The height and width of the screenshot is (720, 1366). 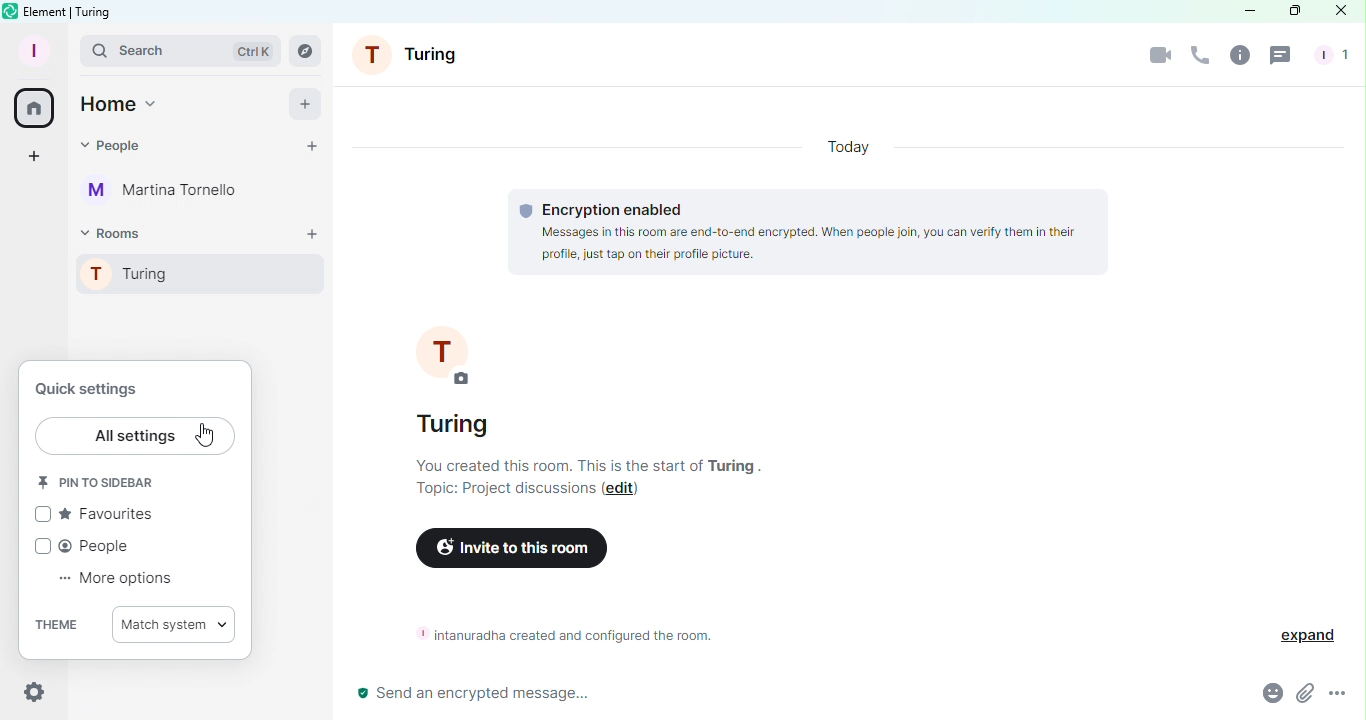 What do you see at coordinates (120, 580) in the screenshot?
I see `More options` at bounding box center [120, 580].